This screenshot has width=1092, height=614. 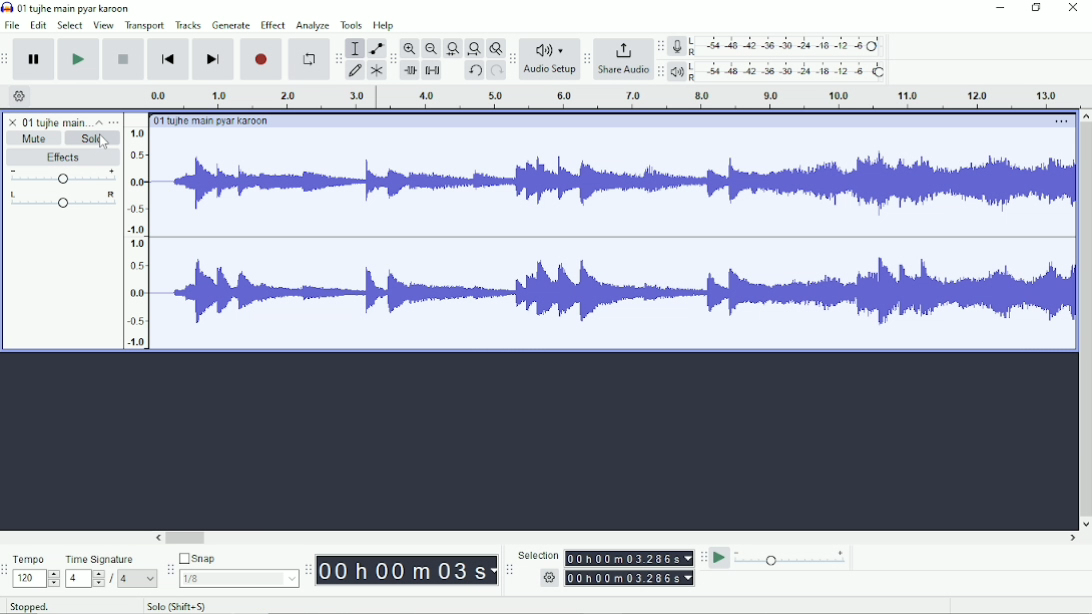 What do you see at coordinates (549, 578) in the screenshot?
I see `` at bounding box center [549, 578].